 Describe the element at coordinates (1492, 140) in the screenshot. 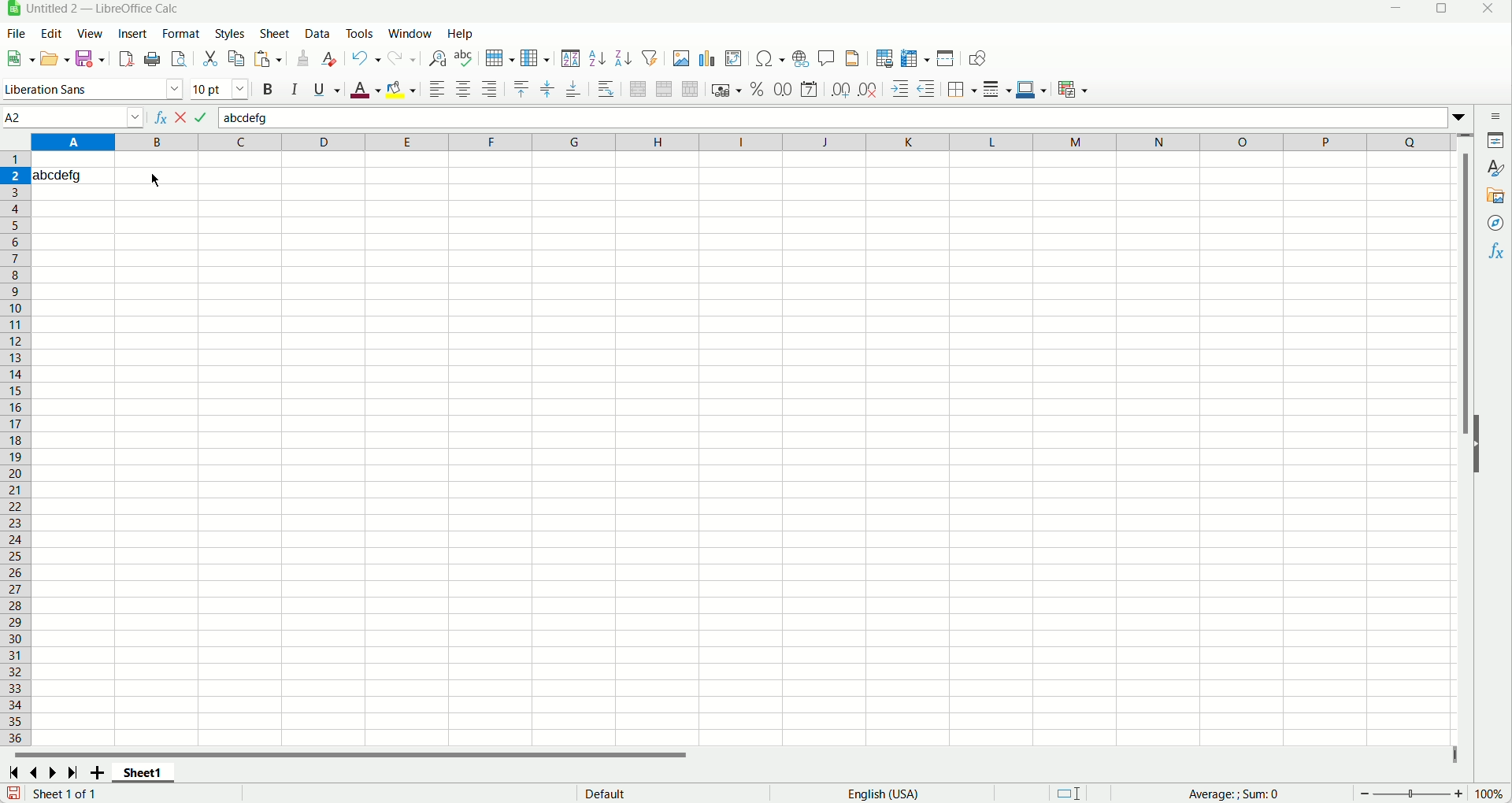

I see `properties` at that location.